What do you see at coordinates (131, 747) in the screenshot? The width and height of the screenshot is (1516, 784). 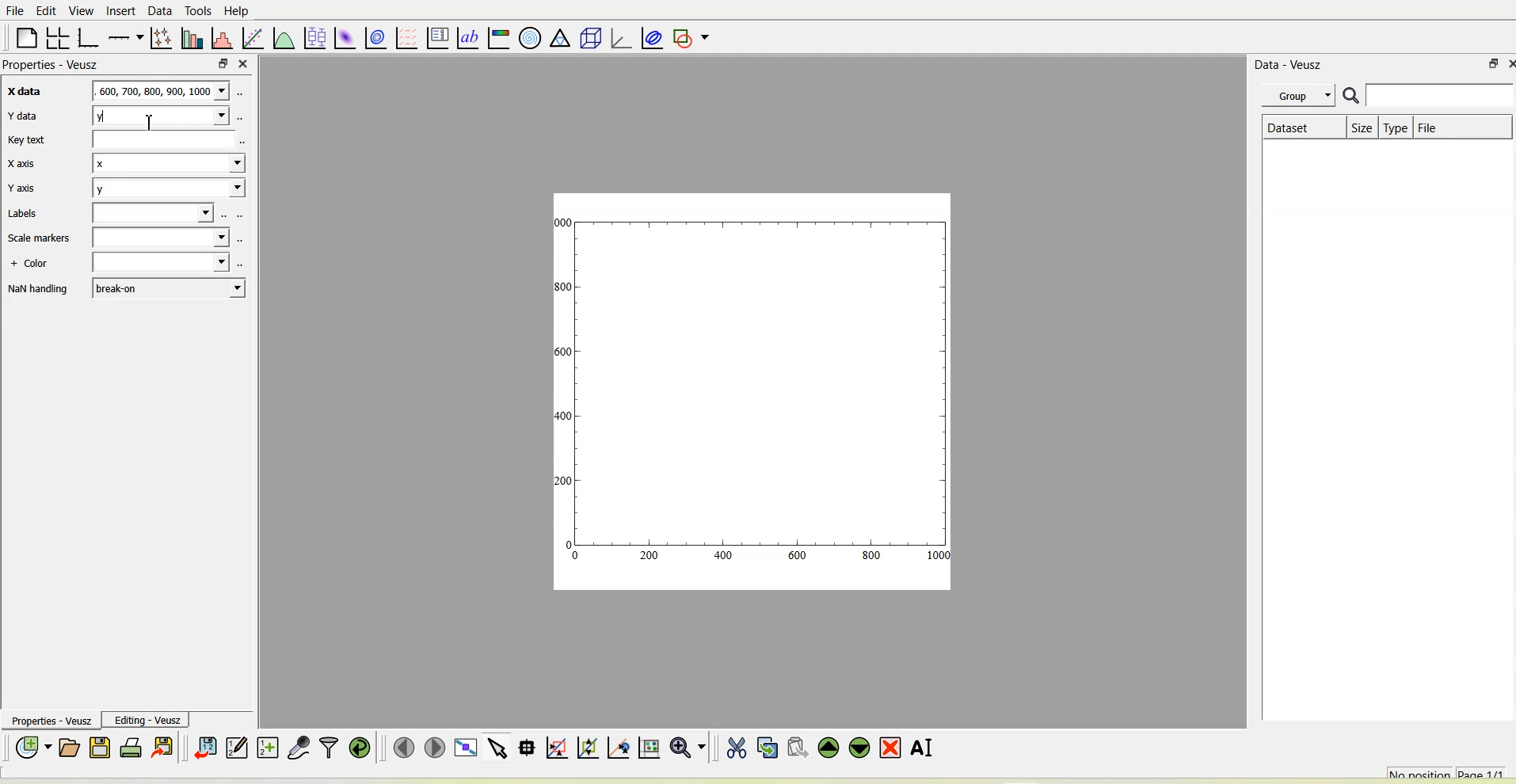 I see `Print the document` at bounding box center [131, 747].